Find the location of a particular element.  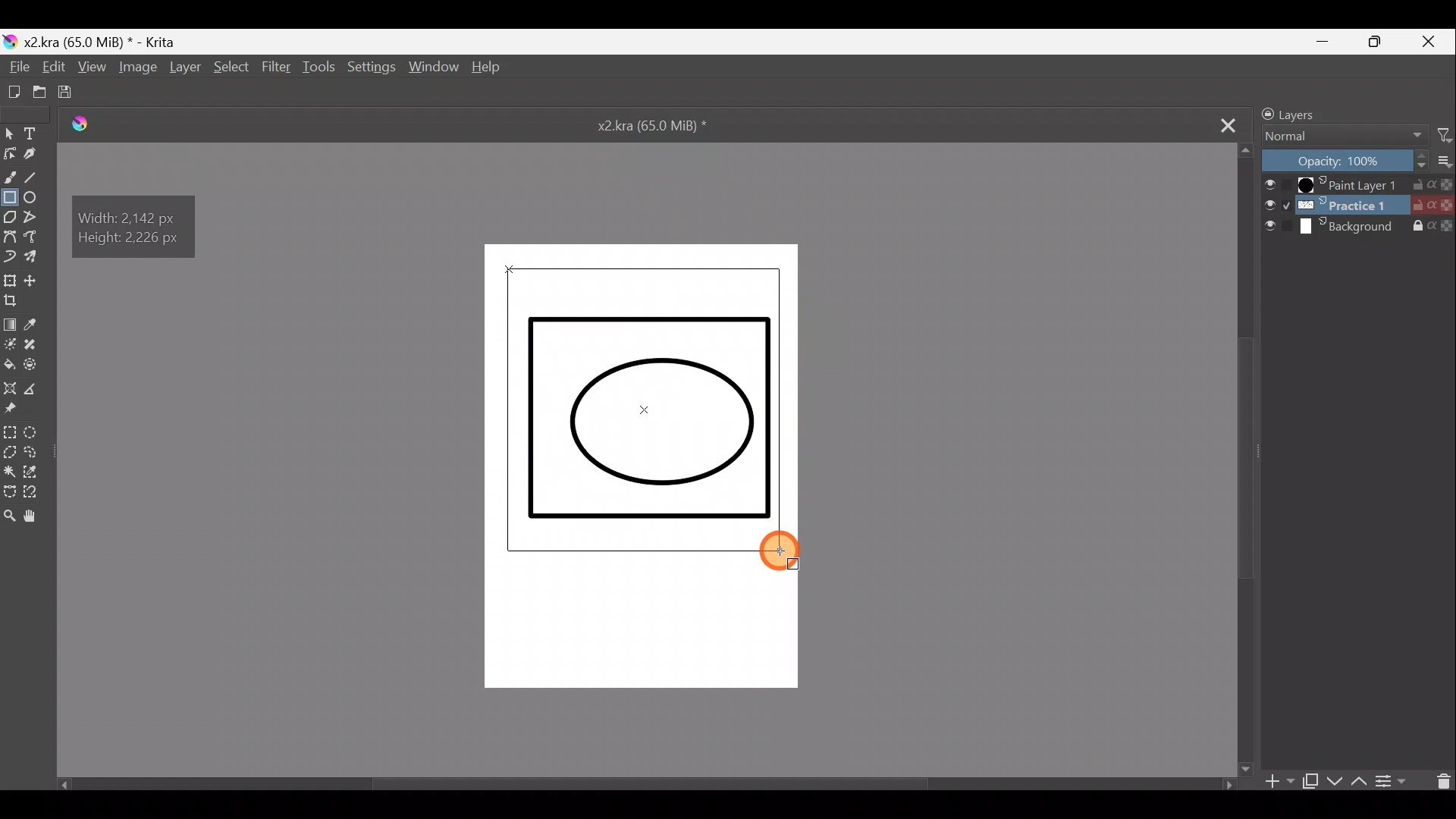

Pan tool is located at coordinates (36, 514).